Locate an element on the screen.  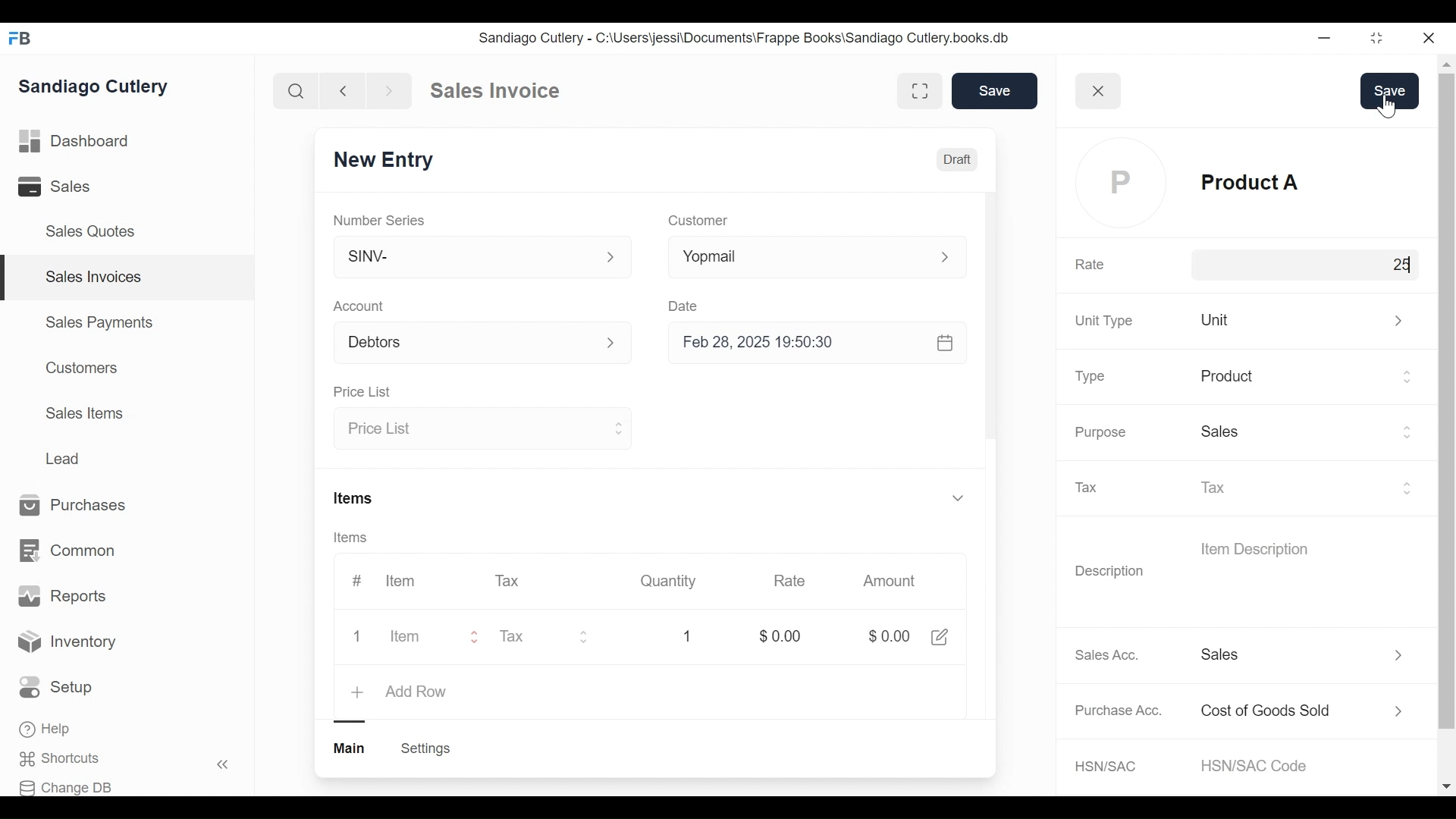
Sales Items is located at coordinates (84, 412).